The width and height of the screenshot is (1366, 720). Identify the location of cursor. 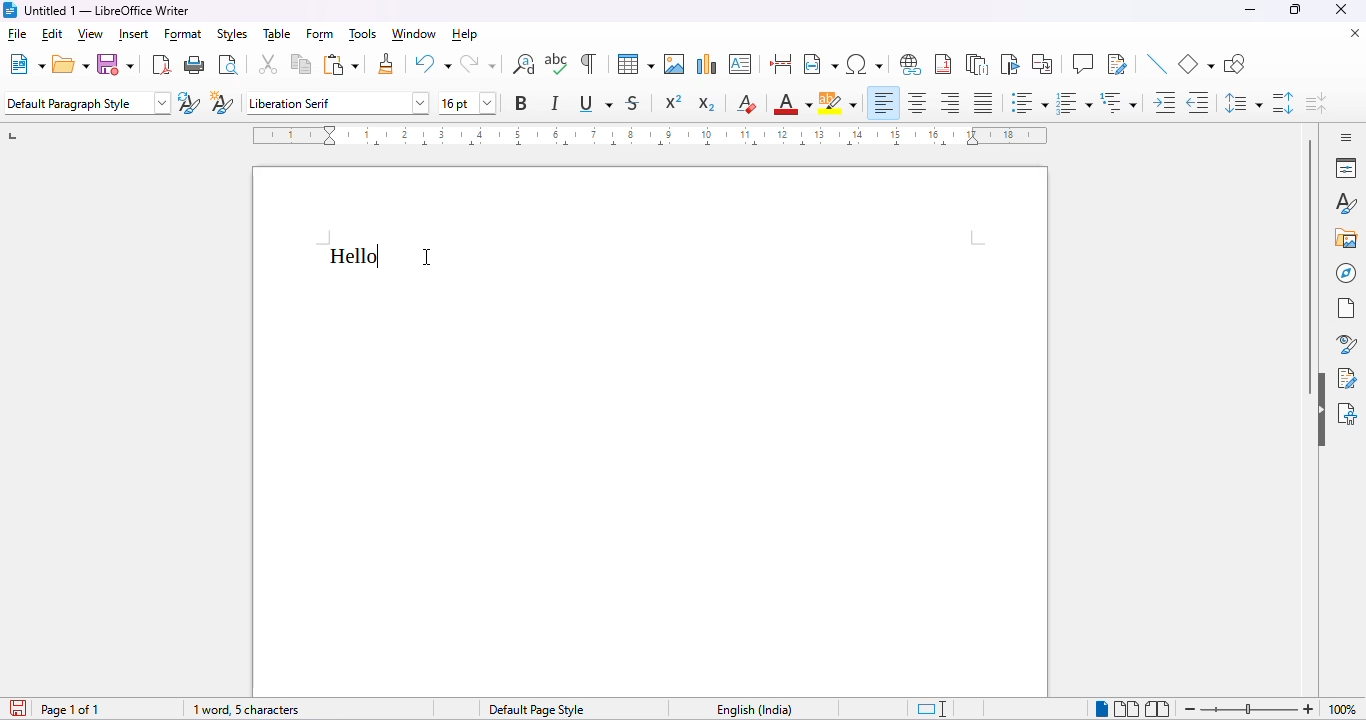
(427, 255).